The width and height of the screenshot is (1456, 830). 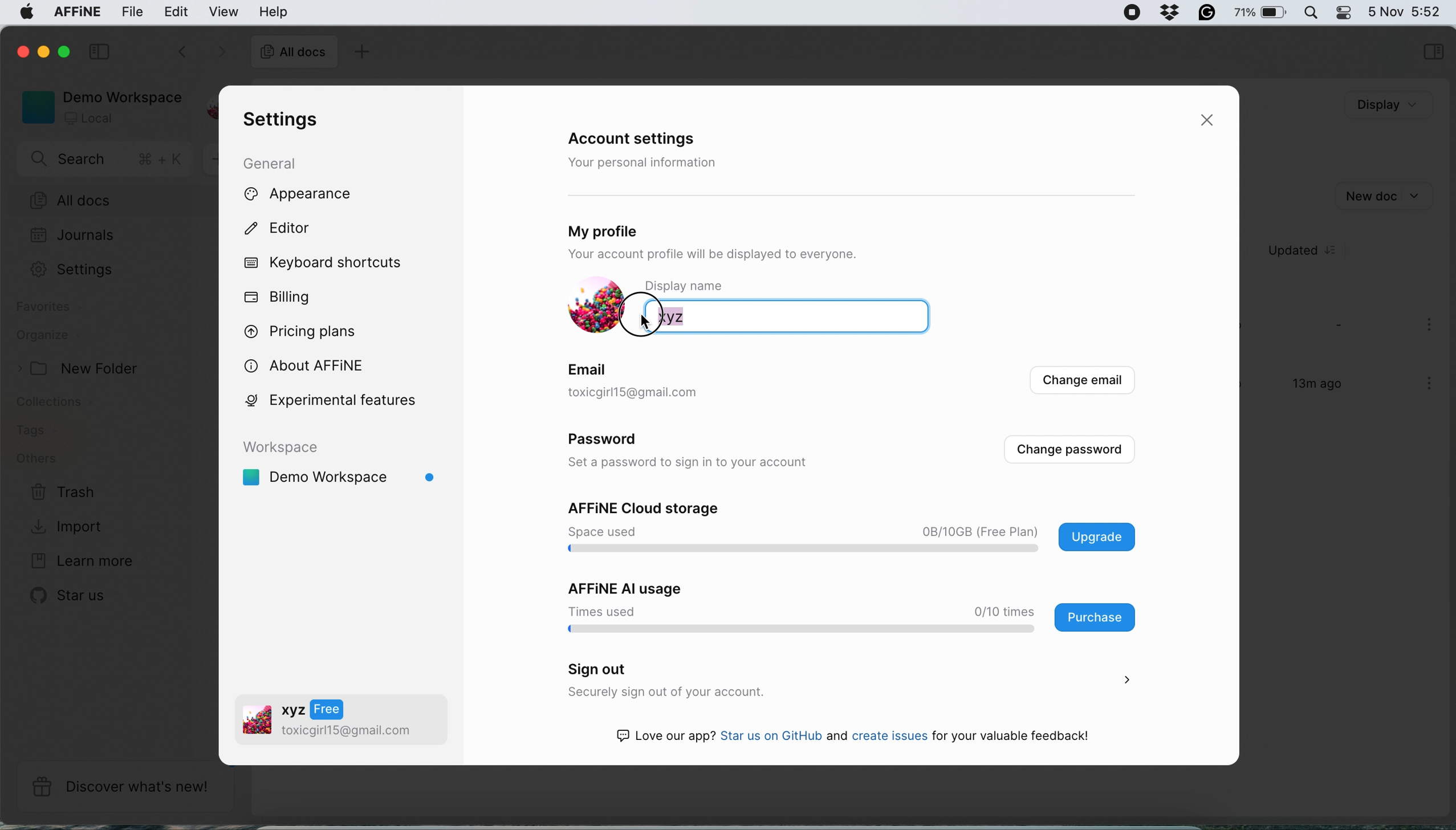 What do you see at coordinates (64, 493) in the screenshot?
I see `trash` at bounding box center [64, 493].